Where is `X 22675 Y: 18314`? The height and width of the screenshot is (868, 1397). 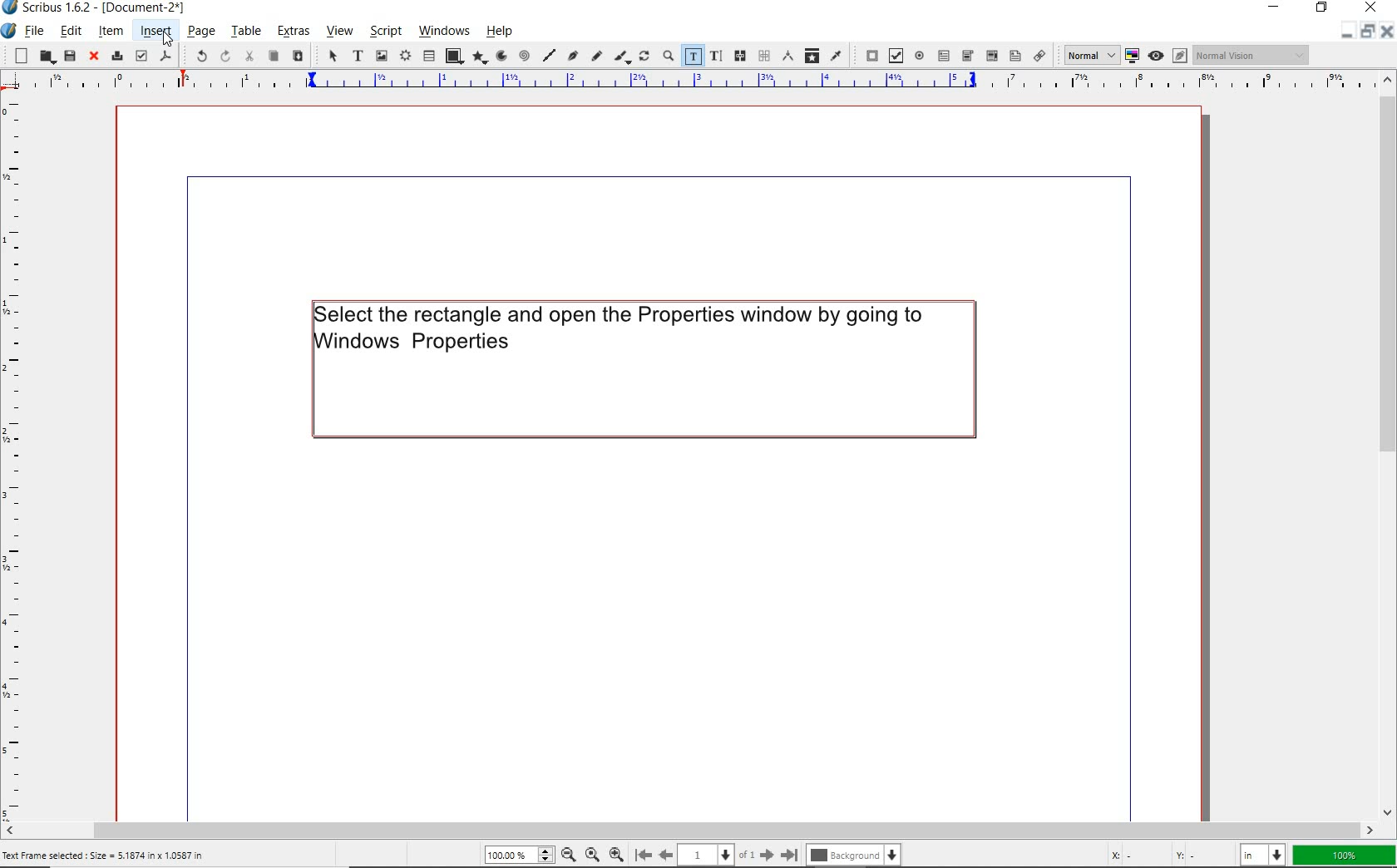 X 22675 Y: 18314 is located at coordinates (1165, 852).